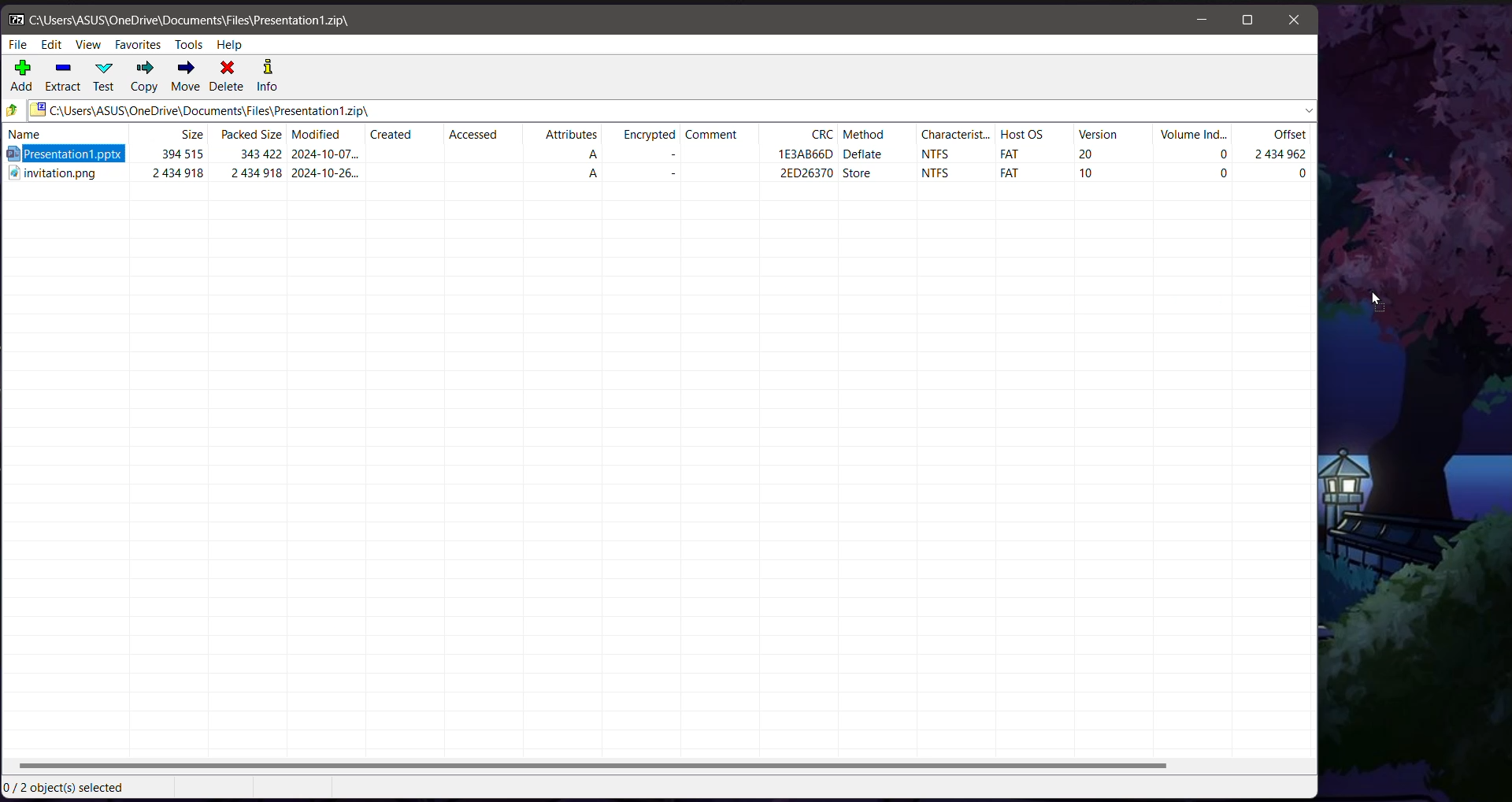 This screenshot has width=1512, height=802. I want to click on Move Up one level, so click(13, 110).